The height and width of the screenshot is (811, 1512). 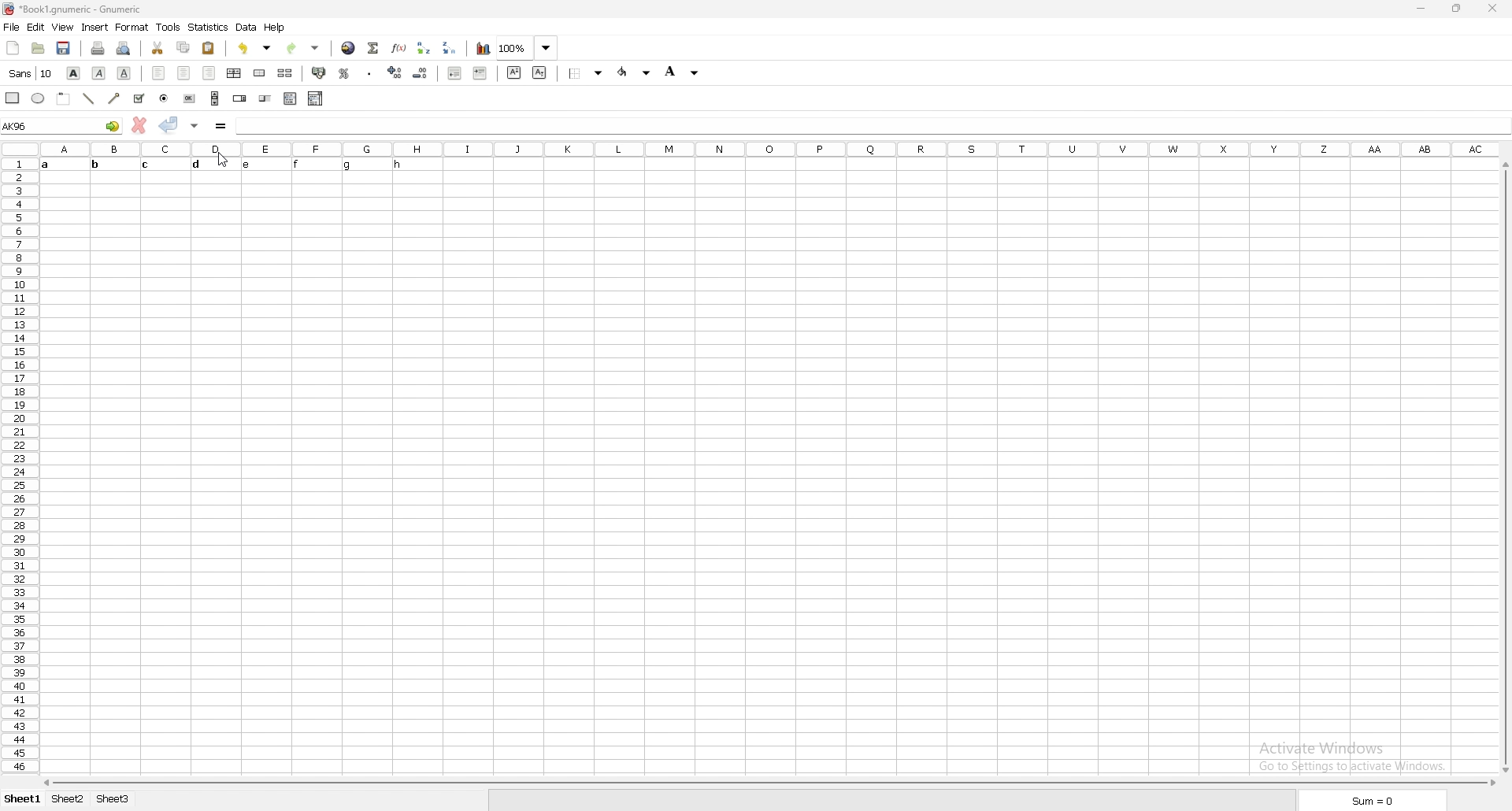 I want to click on tick box, so click(x=139, y=99).